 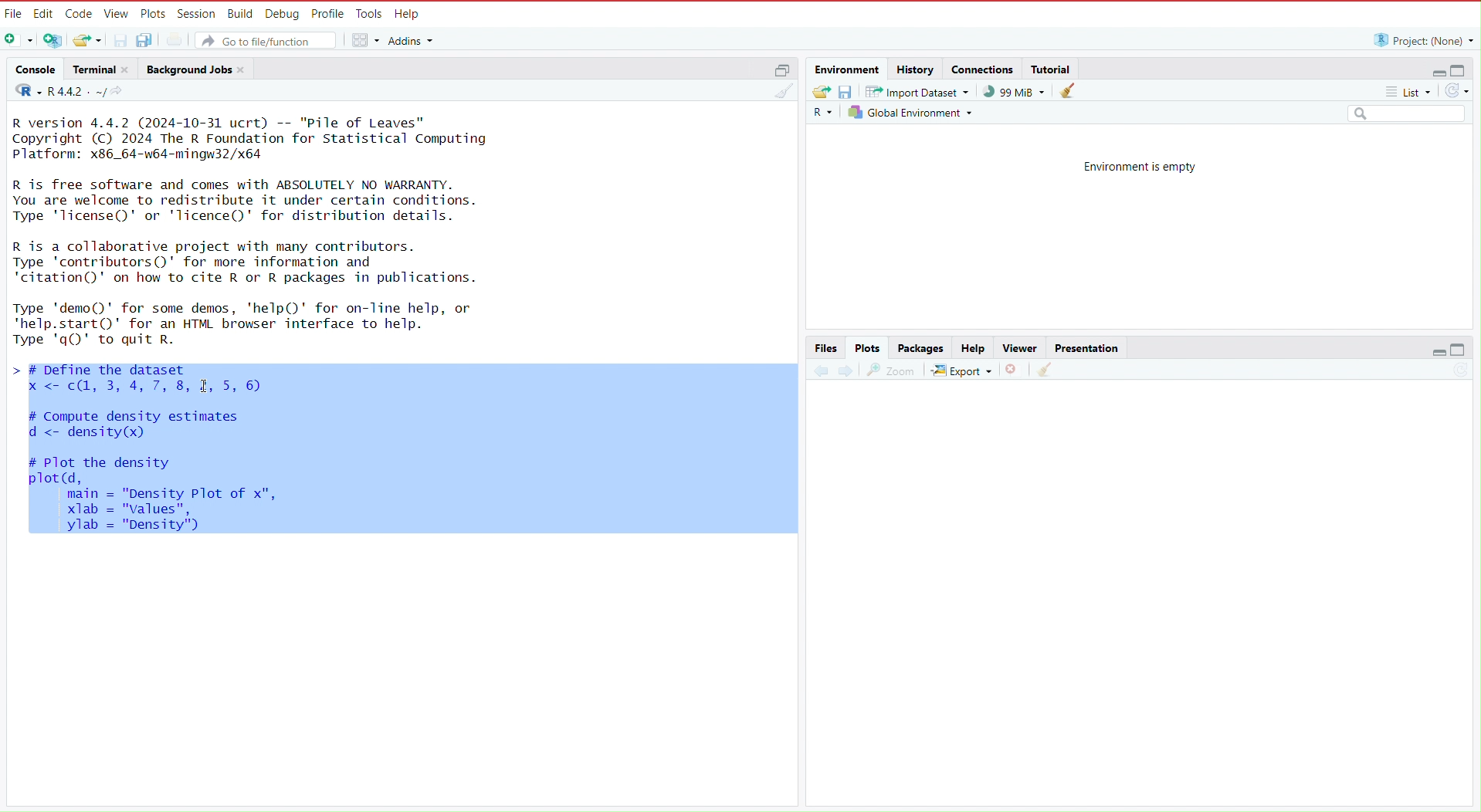 I want to click on environment is empty, so click(x=1131, y=165).